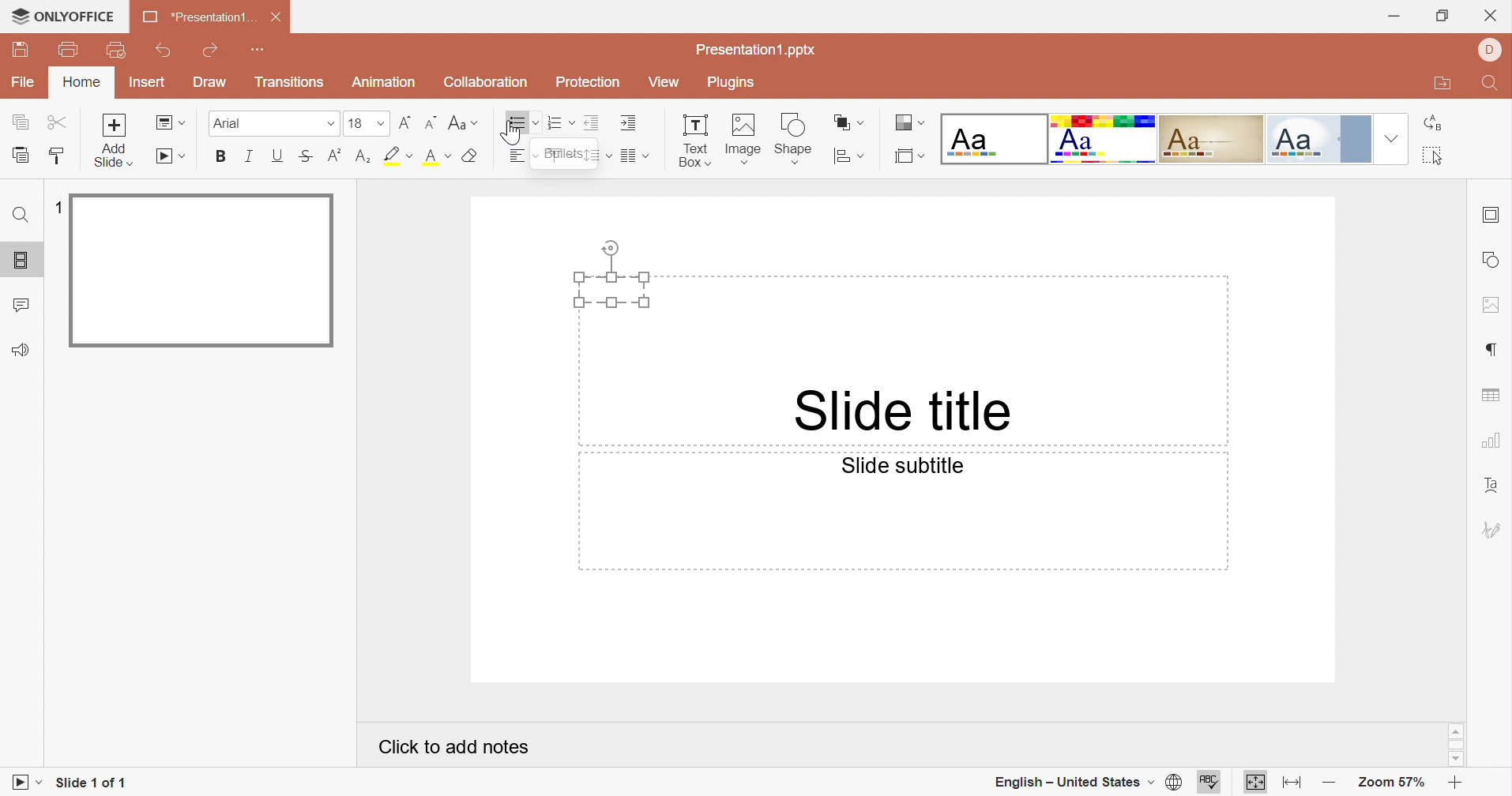 The image size is (1512, 796). I want to click on Subscript, so click(363, 155).